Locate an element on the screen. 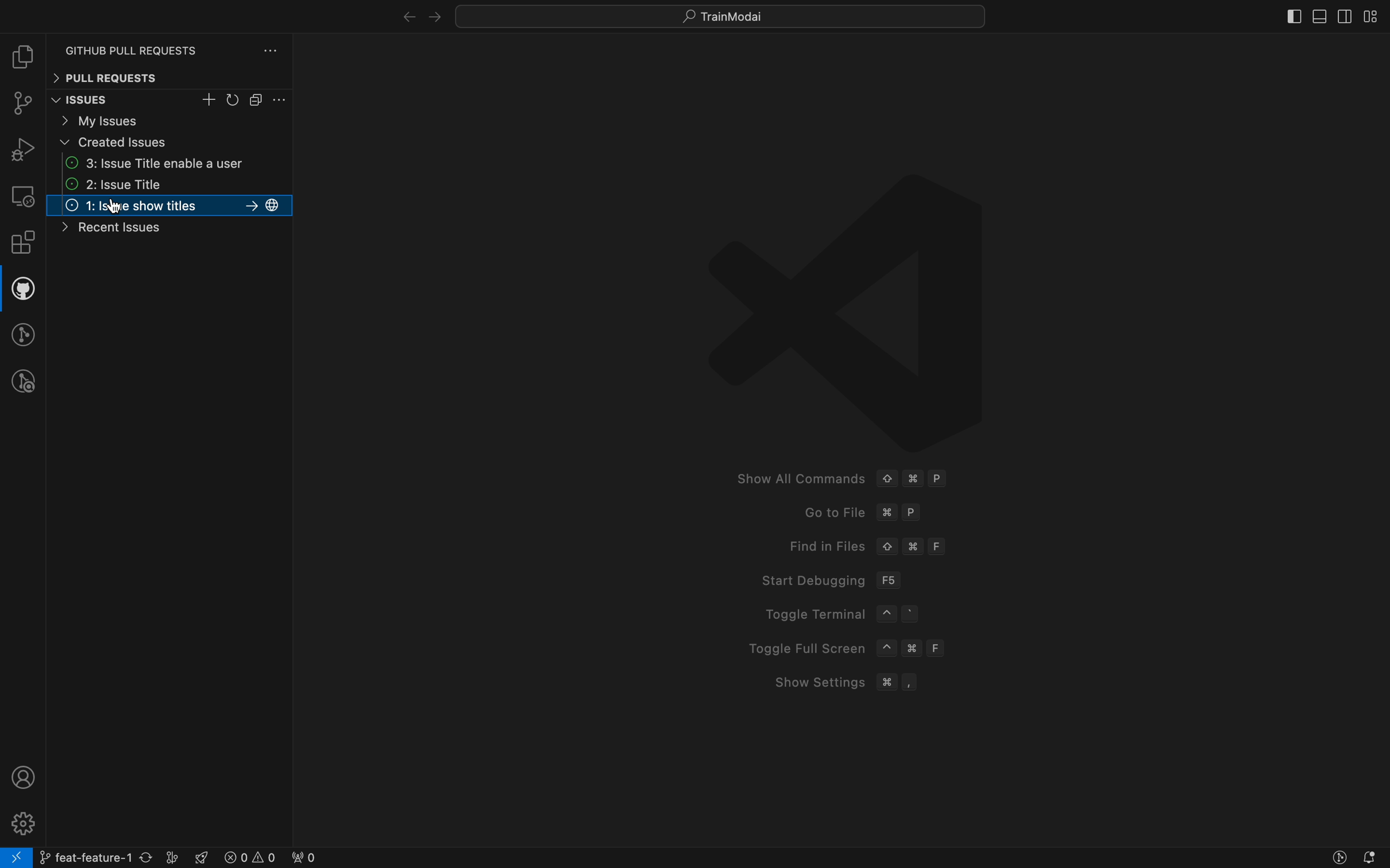 The height and width of the screenshot is (868, 1390). requests is located at coordinates (174, 44).